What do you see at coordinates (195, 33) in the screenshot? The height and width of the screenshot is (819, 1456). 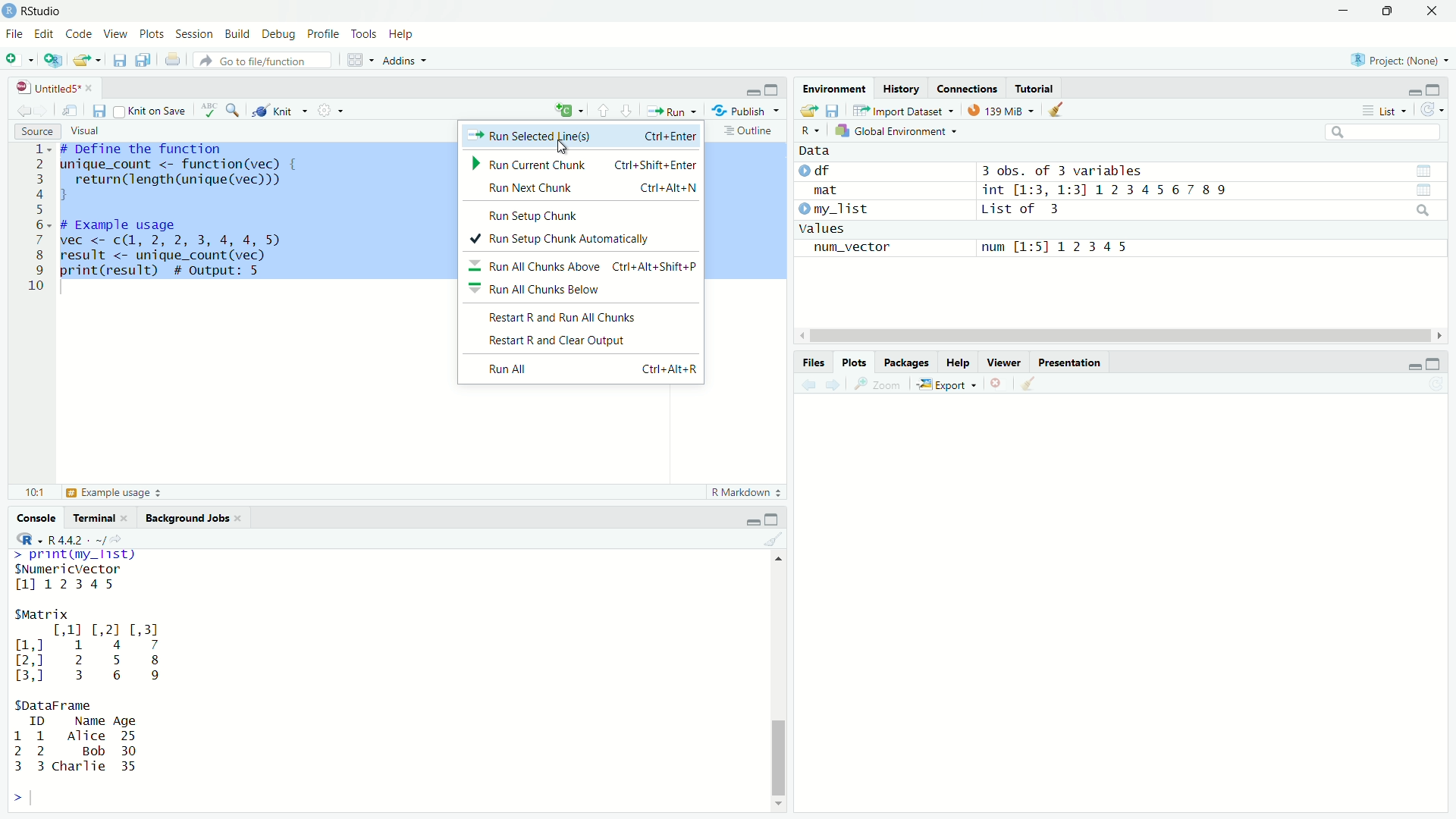 I see `Session` at bounding box center [195, 33].